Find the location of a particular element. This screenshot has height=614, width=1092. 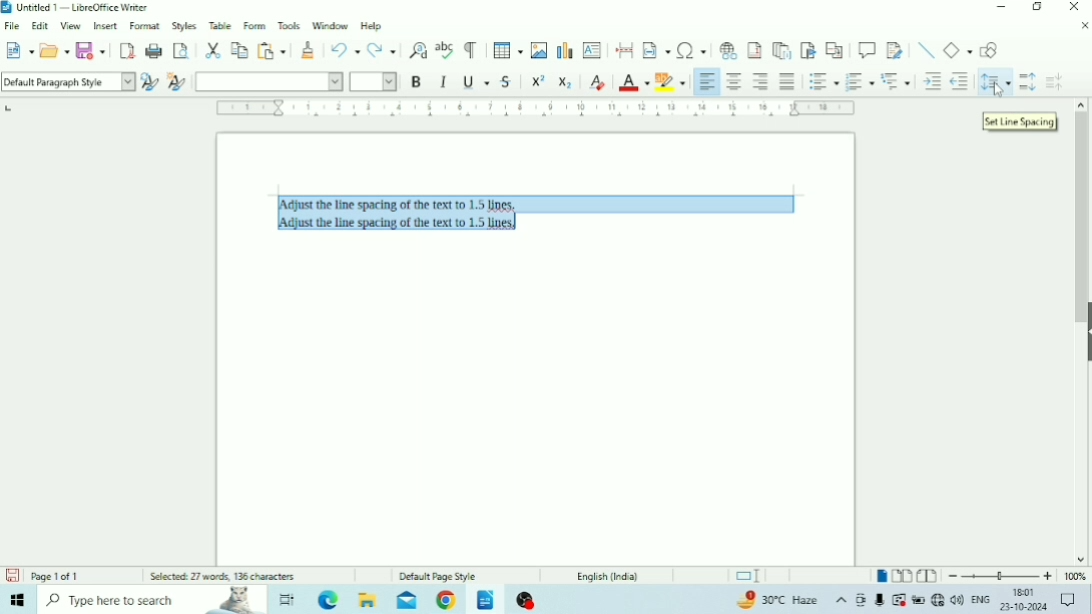

Format is located at coordinates (145, 25).